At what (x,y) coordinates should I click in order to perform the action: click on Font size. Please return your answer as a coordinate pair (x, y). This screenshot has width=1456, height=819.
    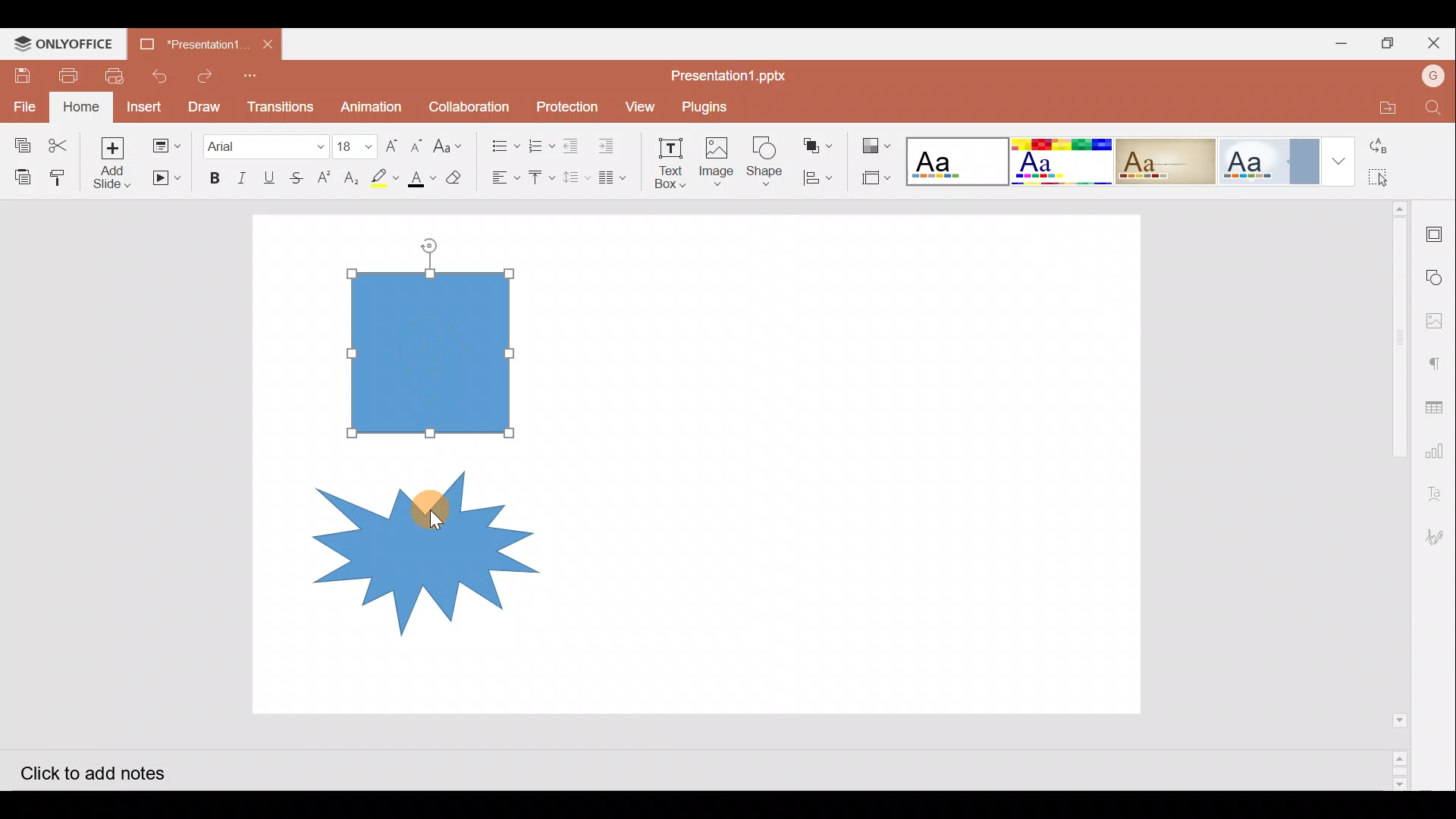
    Looking at the image, I should click on (354, 141).